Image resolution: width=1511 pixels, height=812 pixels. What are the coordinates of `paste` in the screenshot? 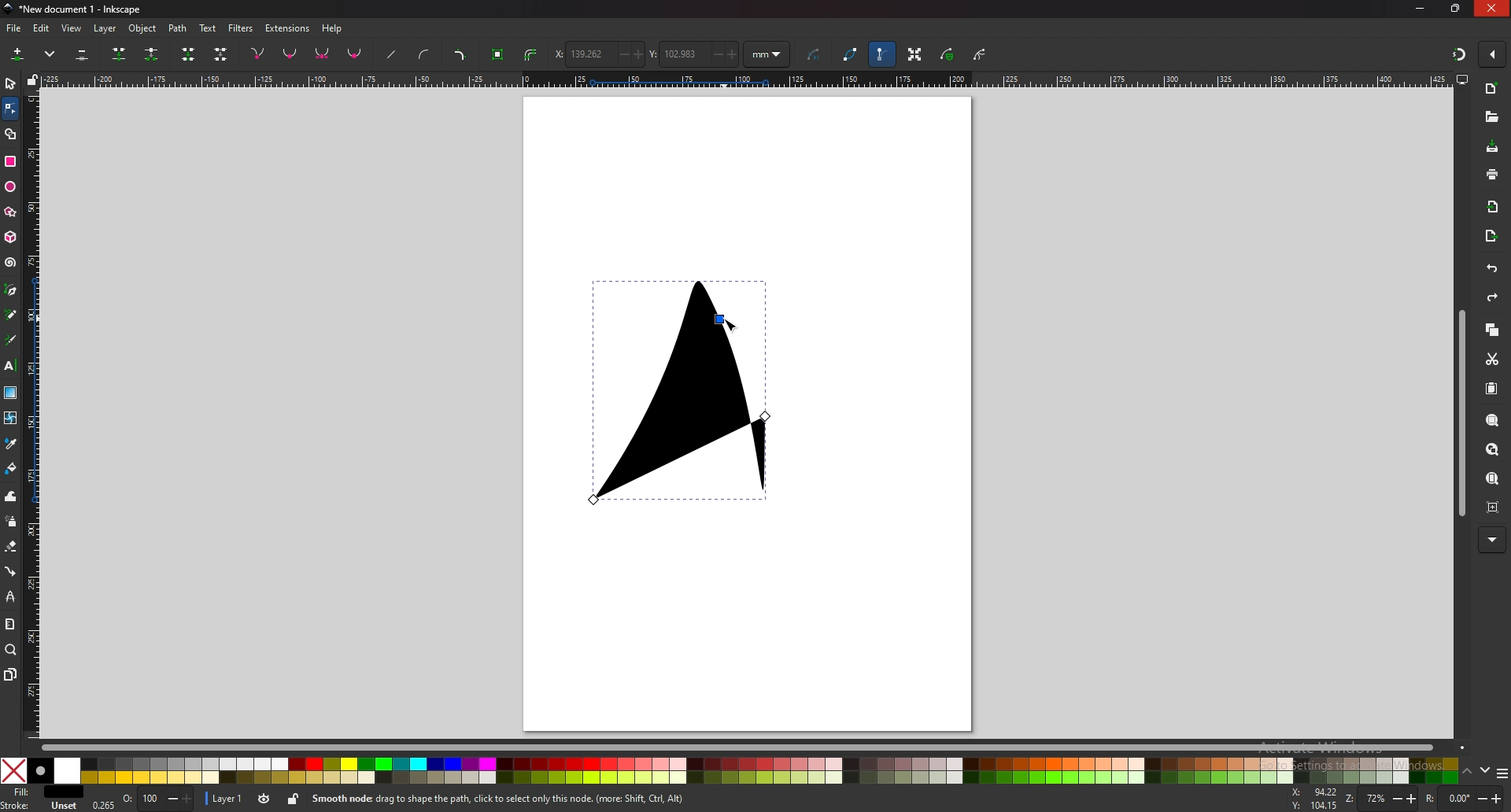 It's located at (1492, 389).